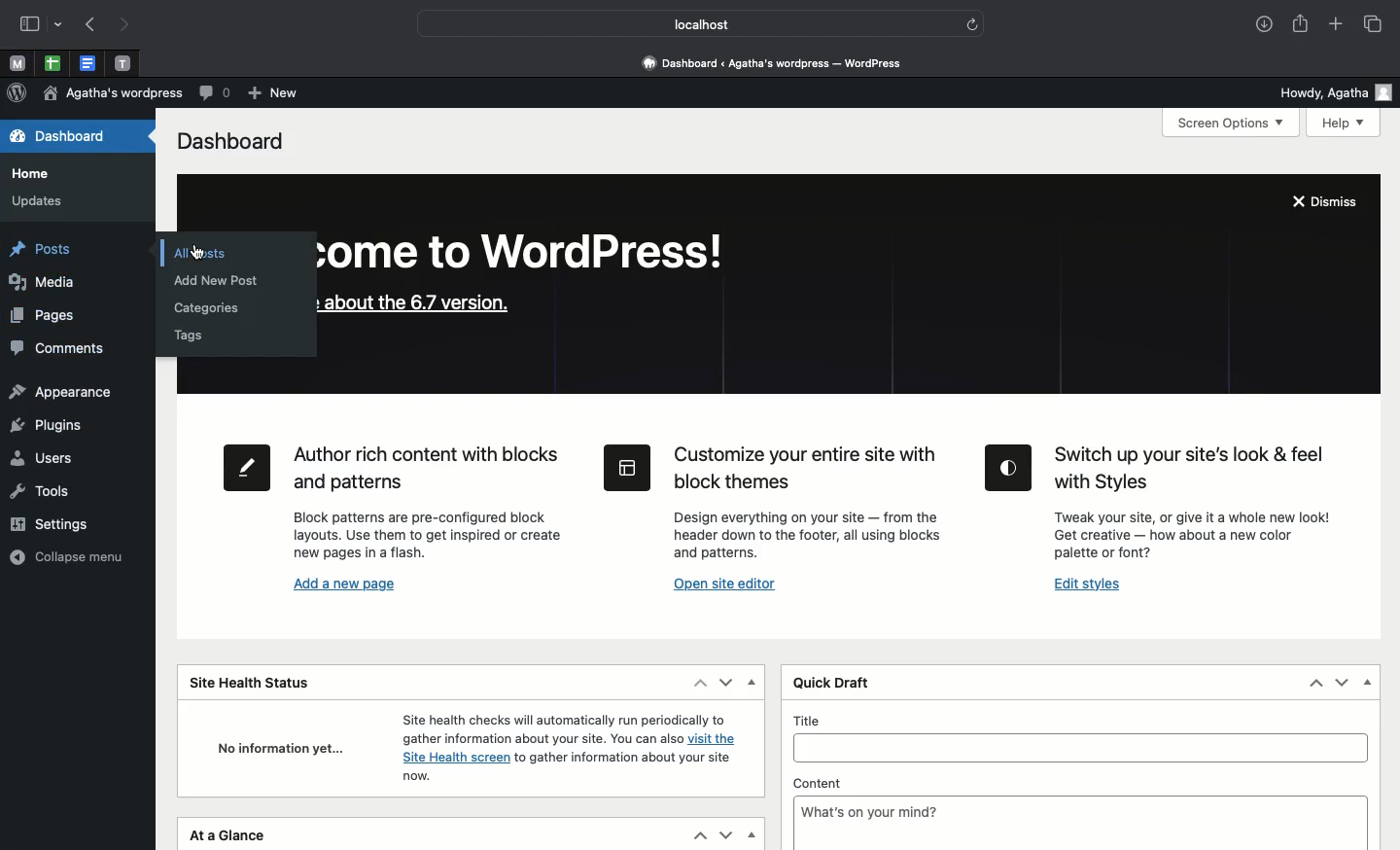 The height and width of the screenshot is (850, 1400). Describe the element at coordinates (1233, 124) in the screenshot. I see `Screen options` at that location.